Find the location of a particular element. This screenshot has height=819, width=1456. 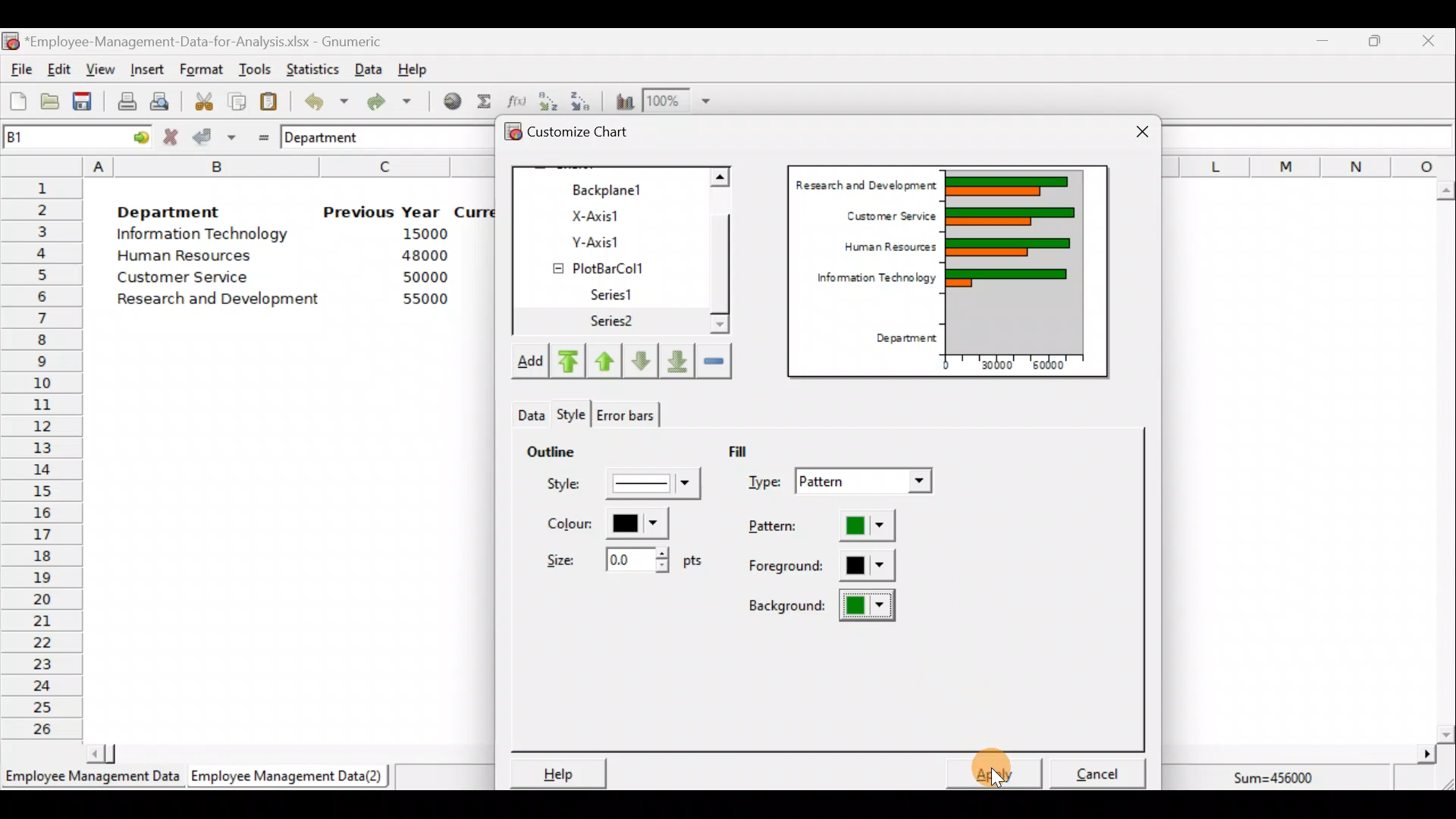

Insert a chart is located at coordinates (621, 101).